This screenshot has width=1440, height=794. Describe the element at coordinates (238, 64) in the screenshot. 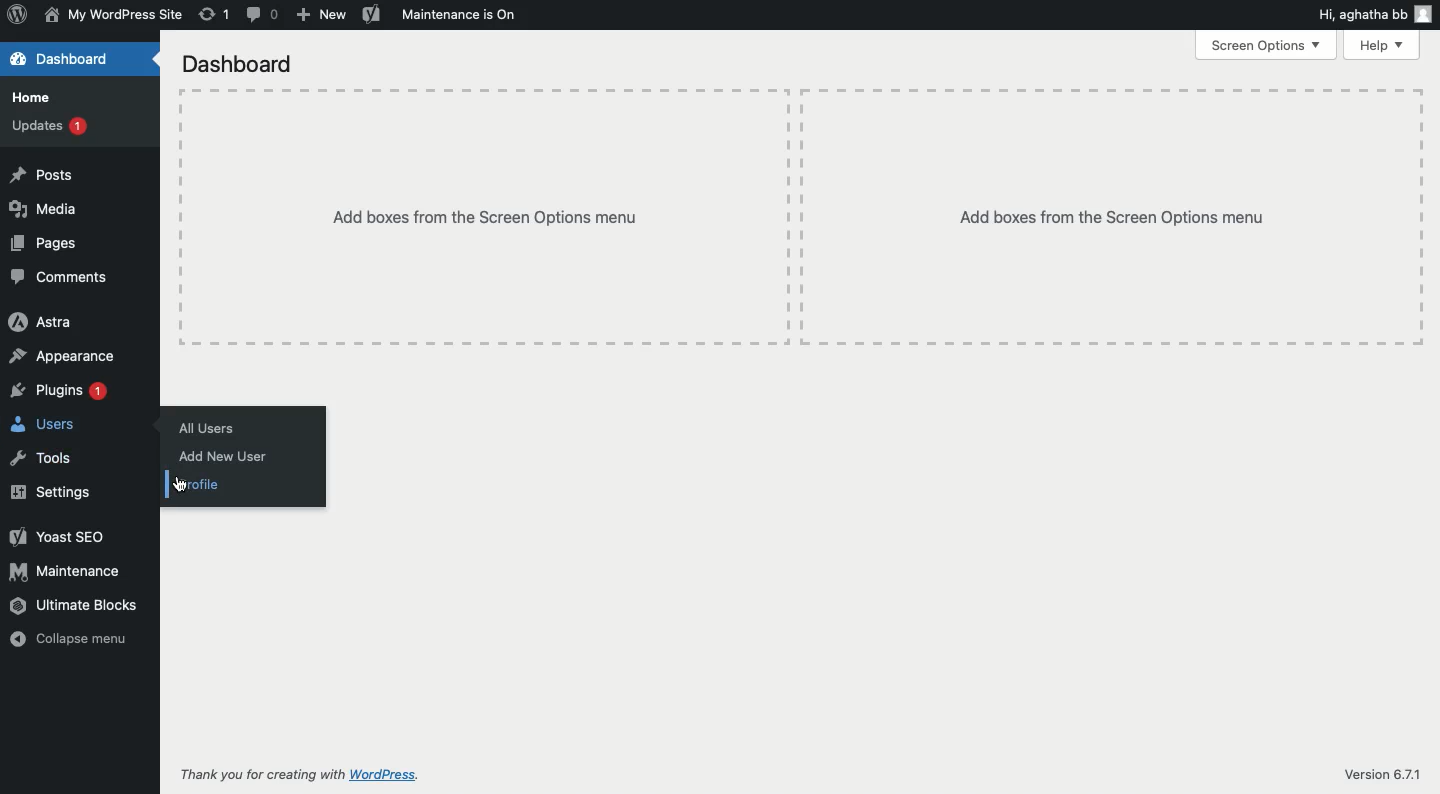

I see `Dashboard` at that location.